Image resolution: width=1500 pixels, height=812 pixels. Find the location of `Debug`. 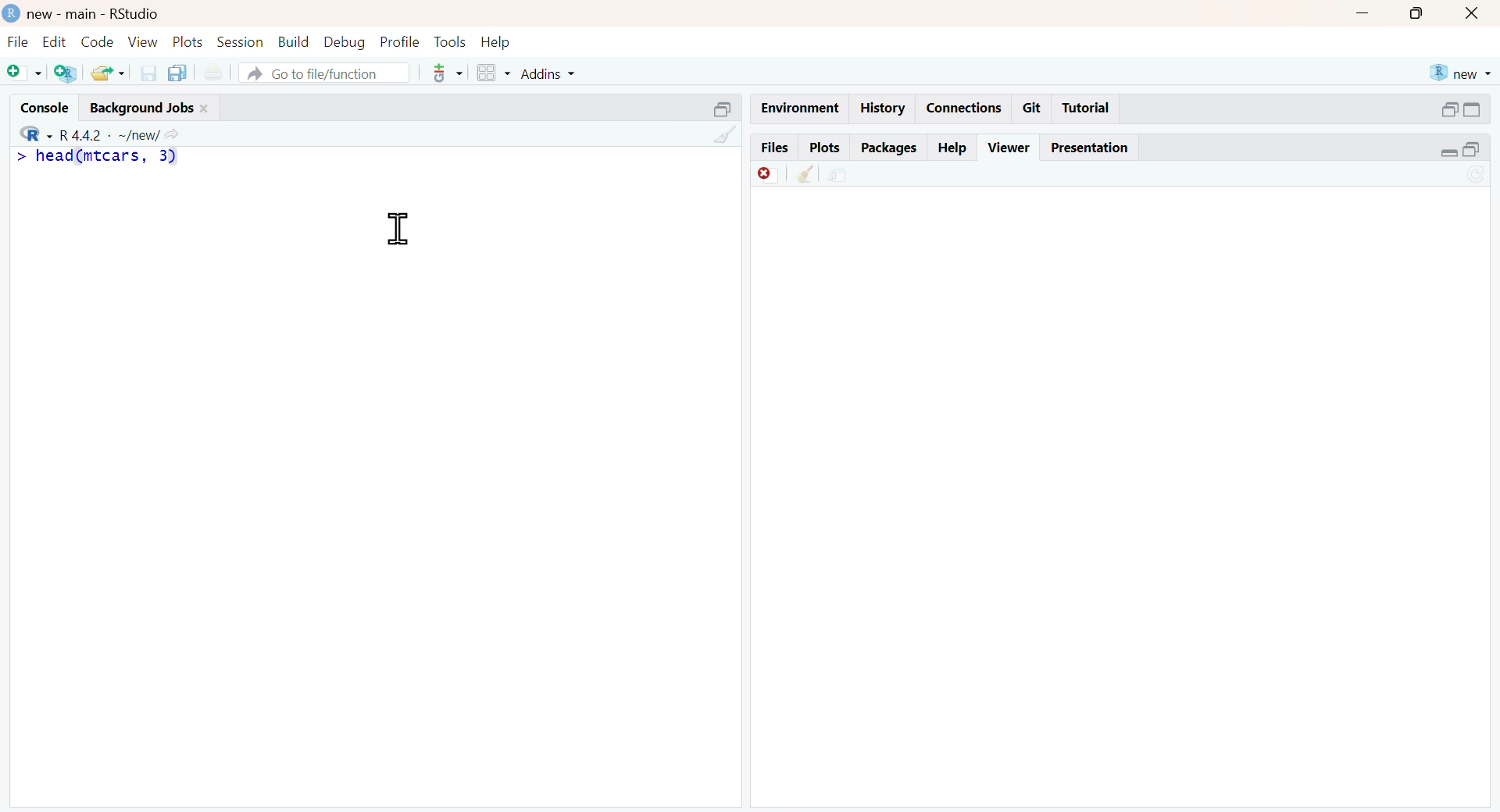

Debug is located at coordinates (343, 42).